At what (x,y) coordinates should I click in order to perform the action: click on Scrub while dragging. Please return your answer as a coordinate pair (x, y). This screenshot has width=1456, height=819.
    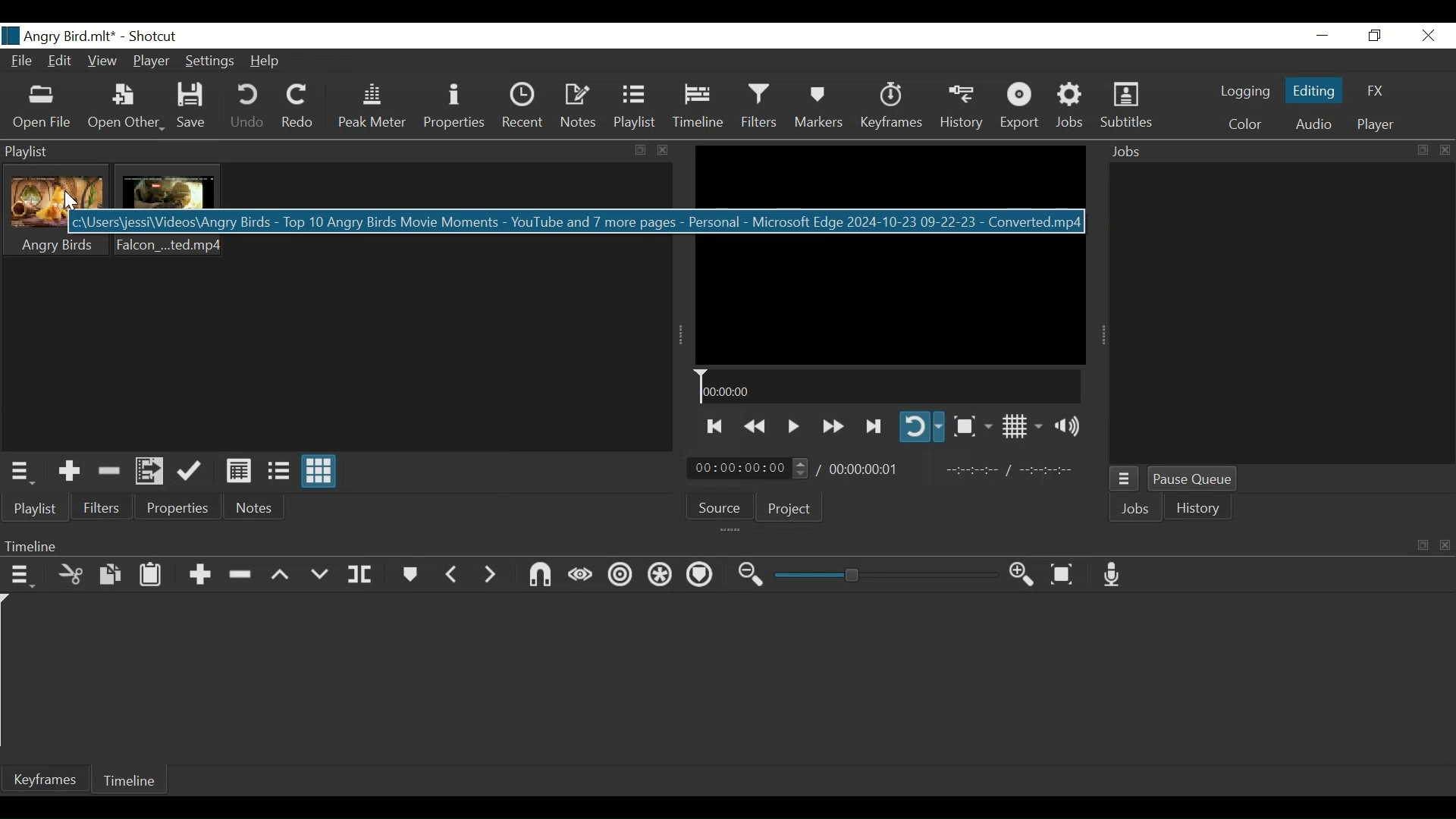
    Looking at the image, I should click on (577, 574).